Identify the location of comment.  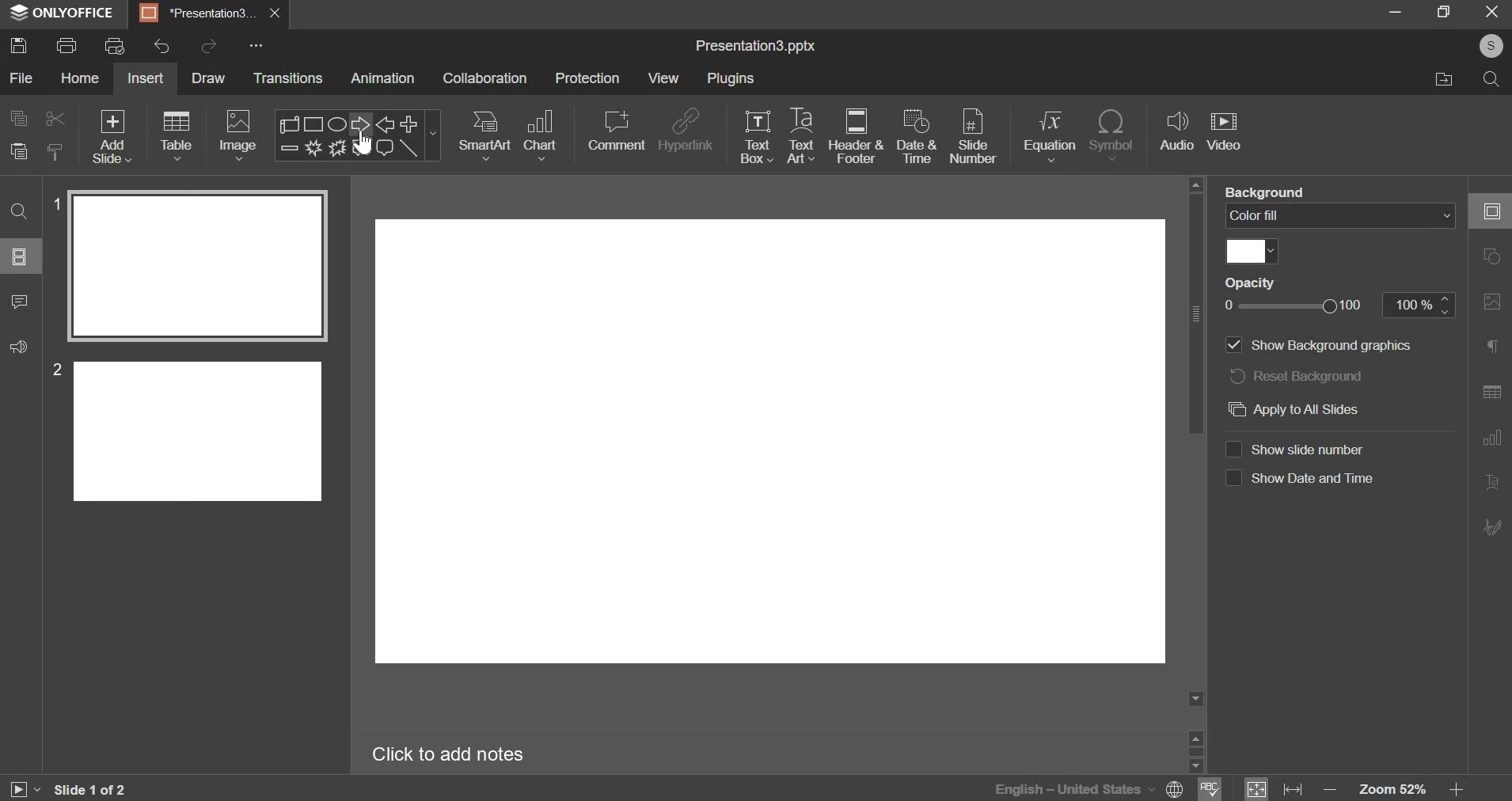
(616, 131).